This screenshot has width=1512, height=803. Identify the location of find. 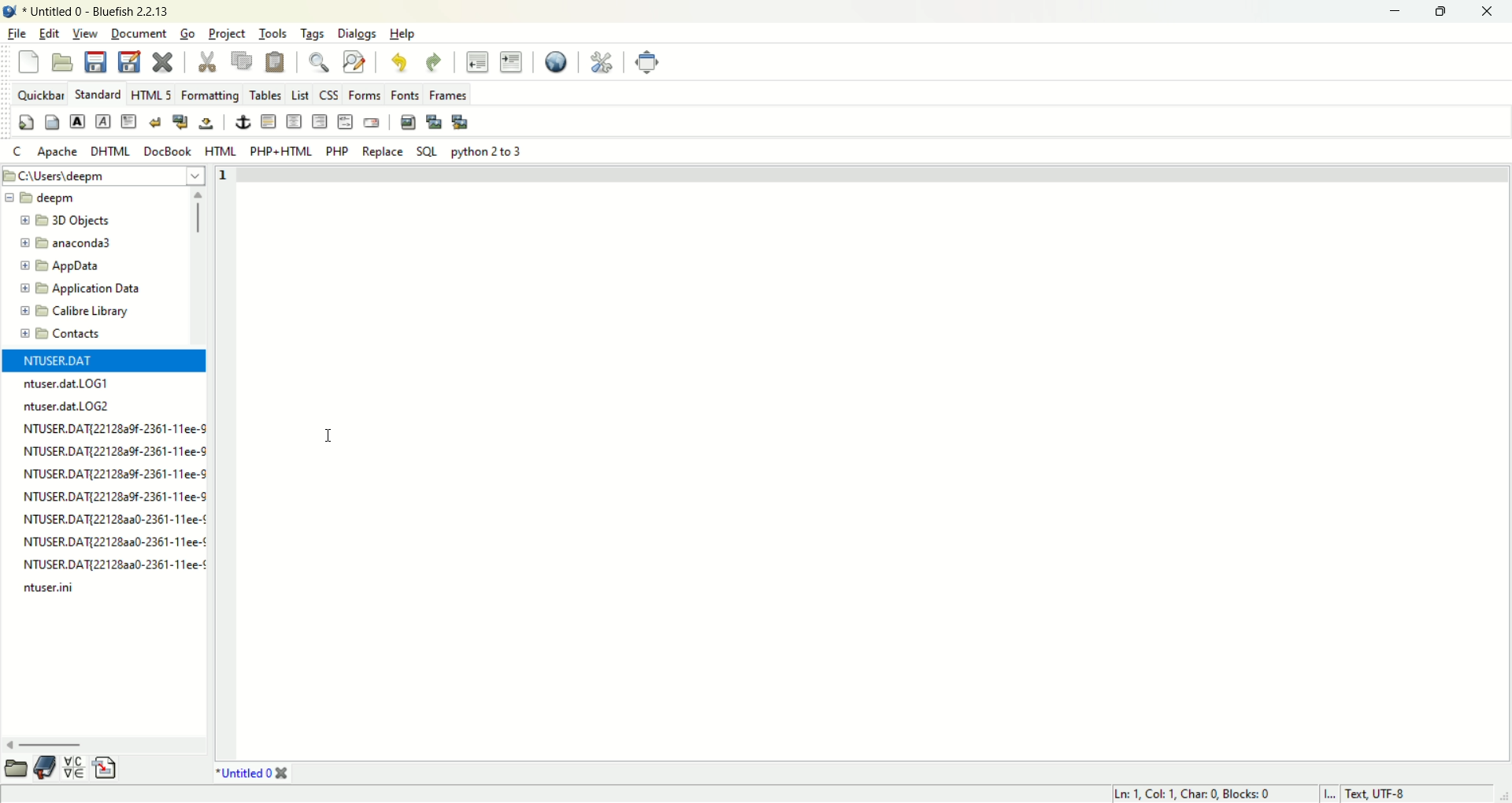
(317, 62).